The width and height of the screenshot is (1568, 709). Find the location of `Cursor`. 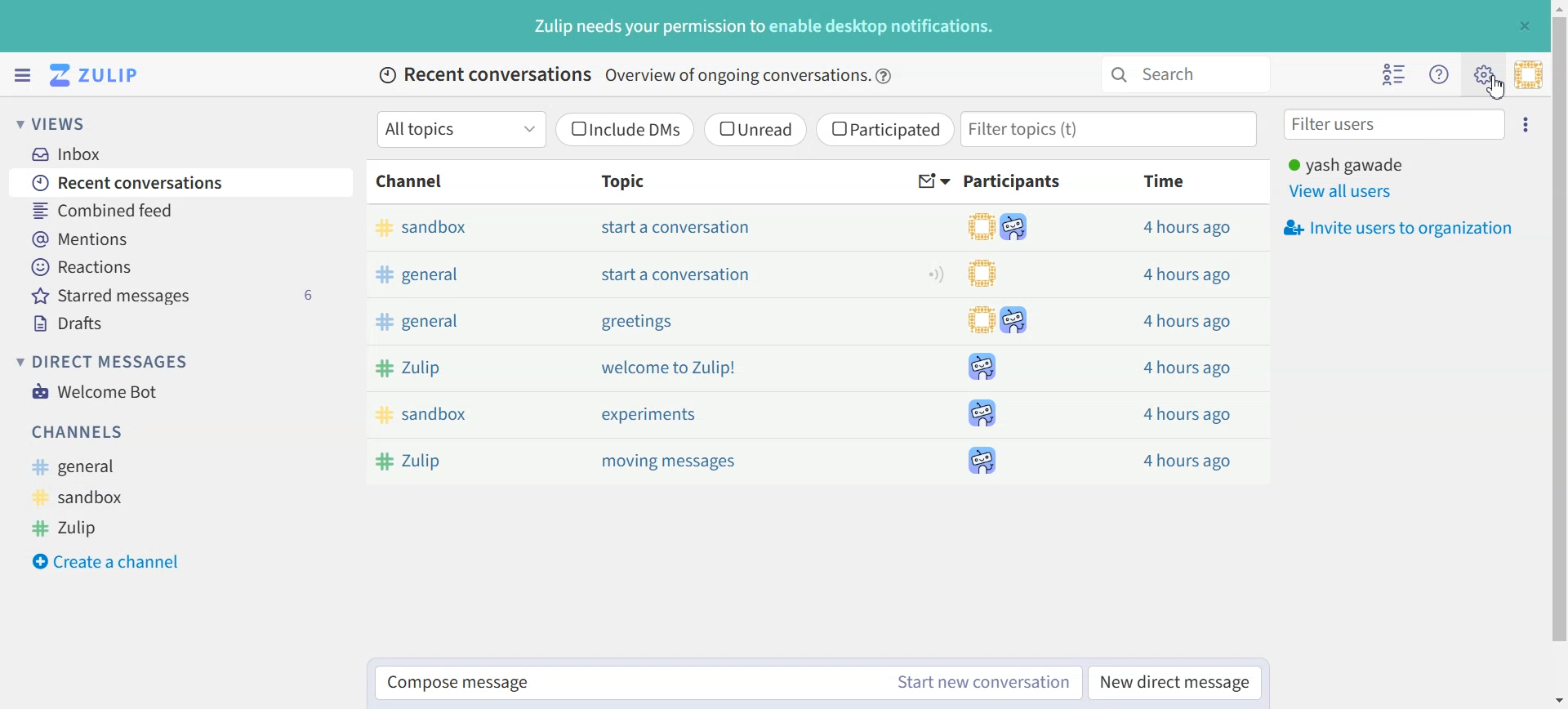

Cursor is located at coordinates (1495, 88).